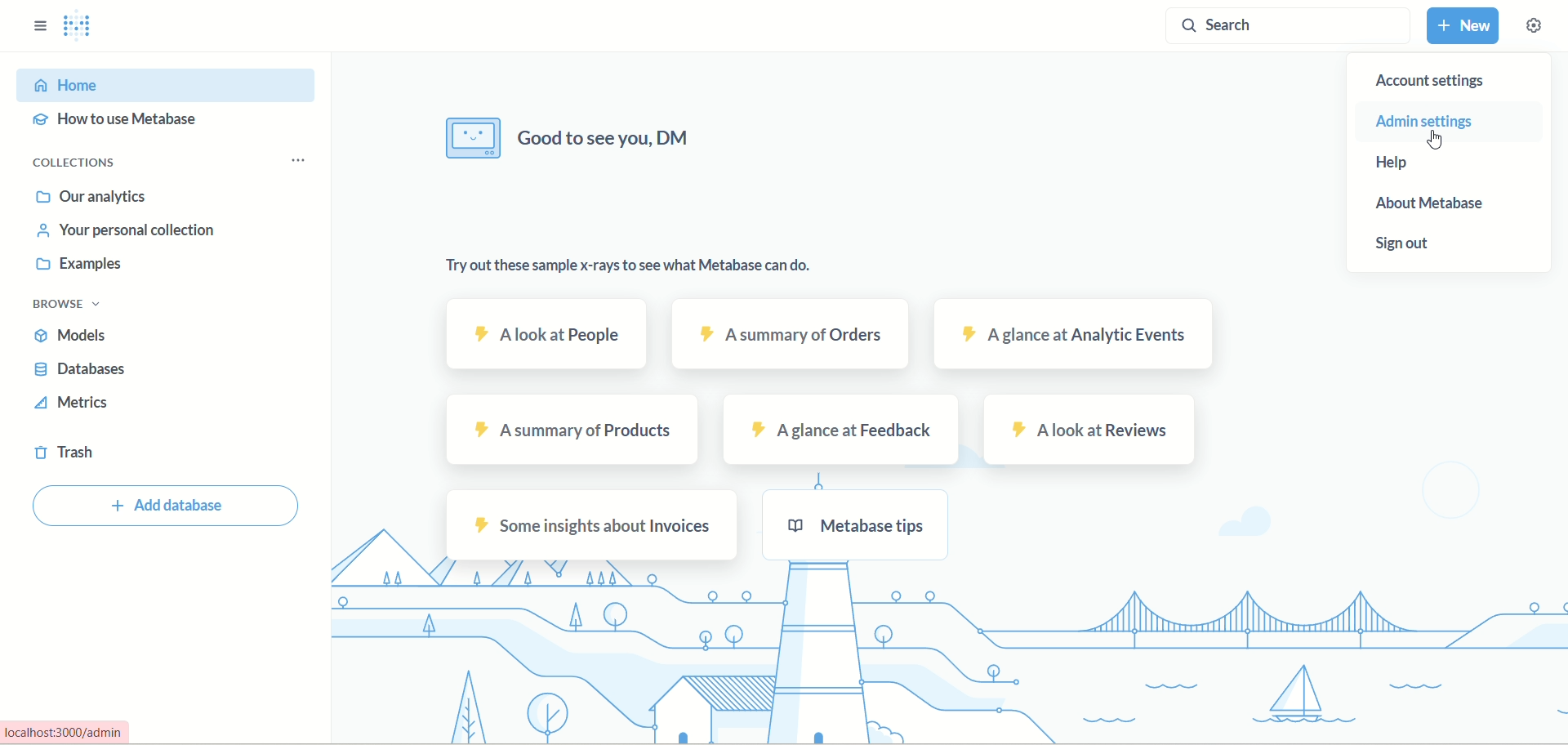 The image size is (1568, 745). Describe the element at coordinates (1291, 25) in the screenshot. I see `search` at that location.